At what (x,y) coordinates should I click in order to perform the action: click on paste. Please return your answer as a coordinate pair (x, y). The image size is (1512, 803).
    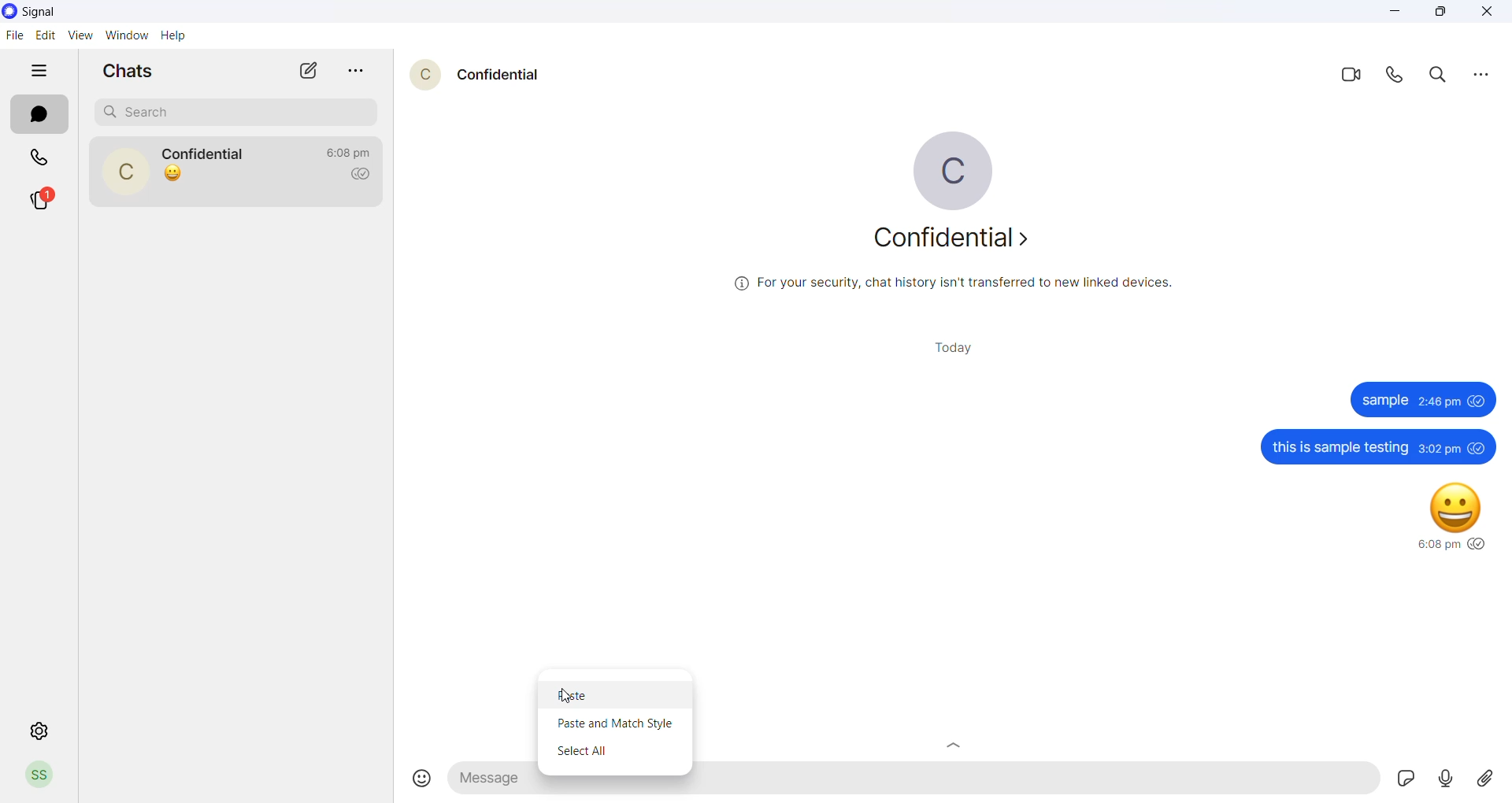
    Looking at the image, I should click on (617, 693).